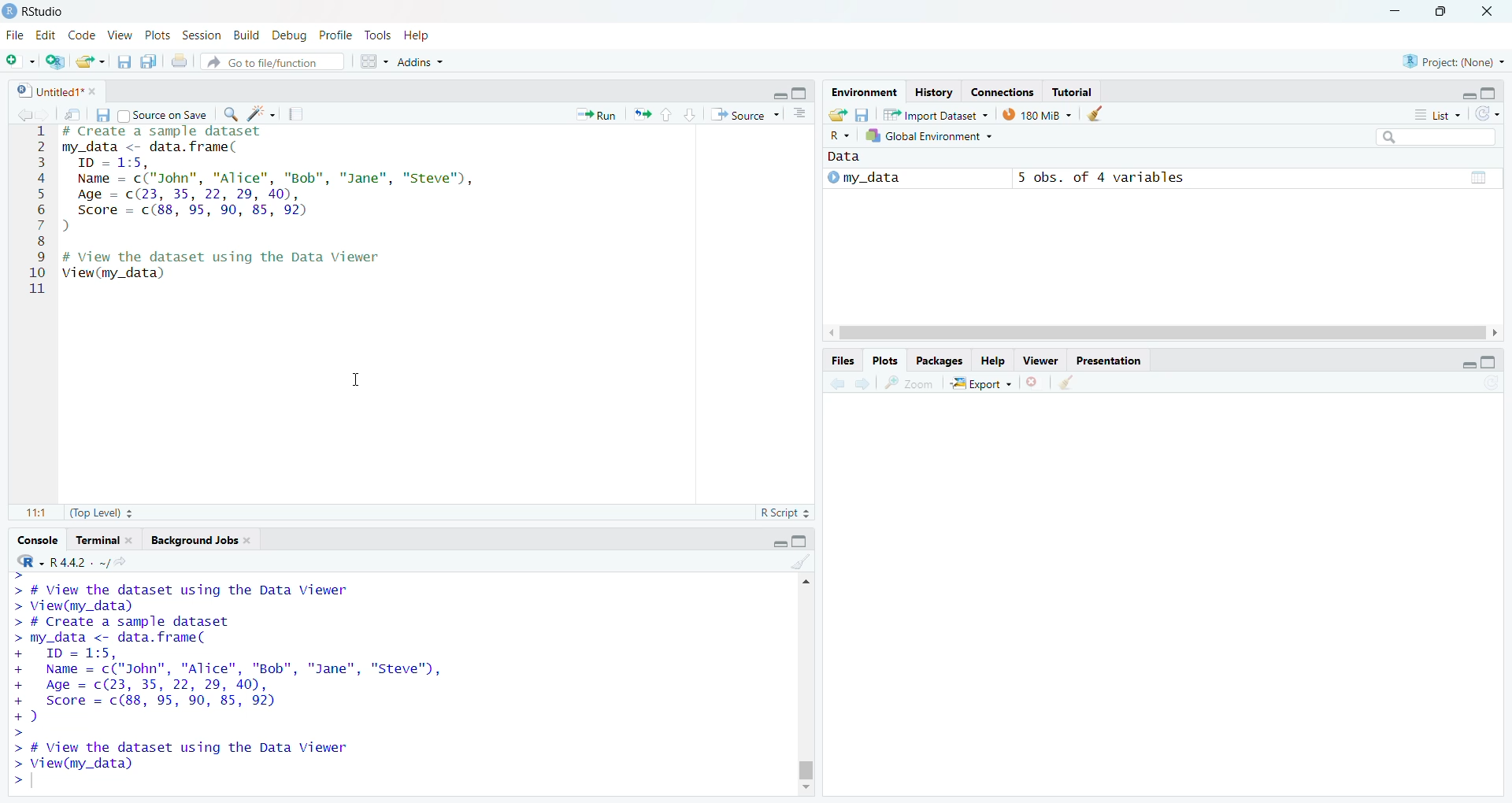 This screenshot has height=803, width=1512. What do you see at coordinates (865, 94) in the screenshot?
I see `Environment` at bounding box center [865, 94].